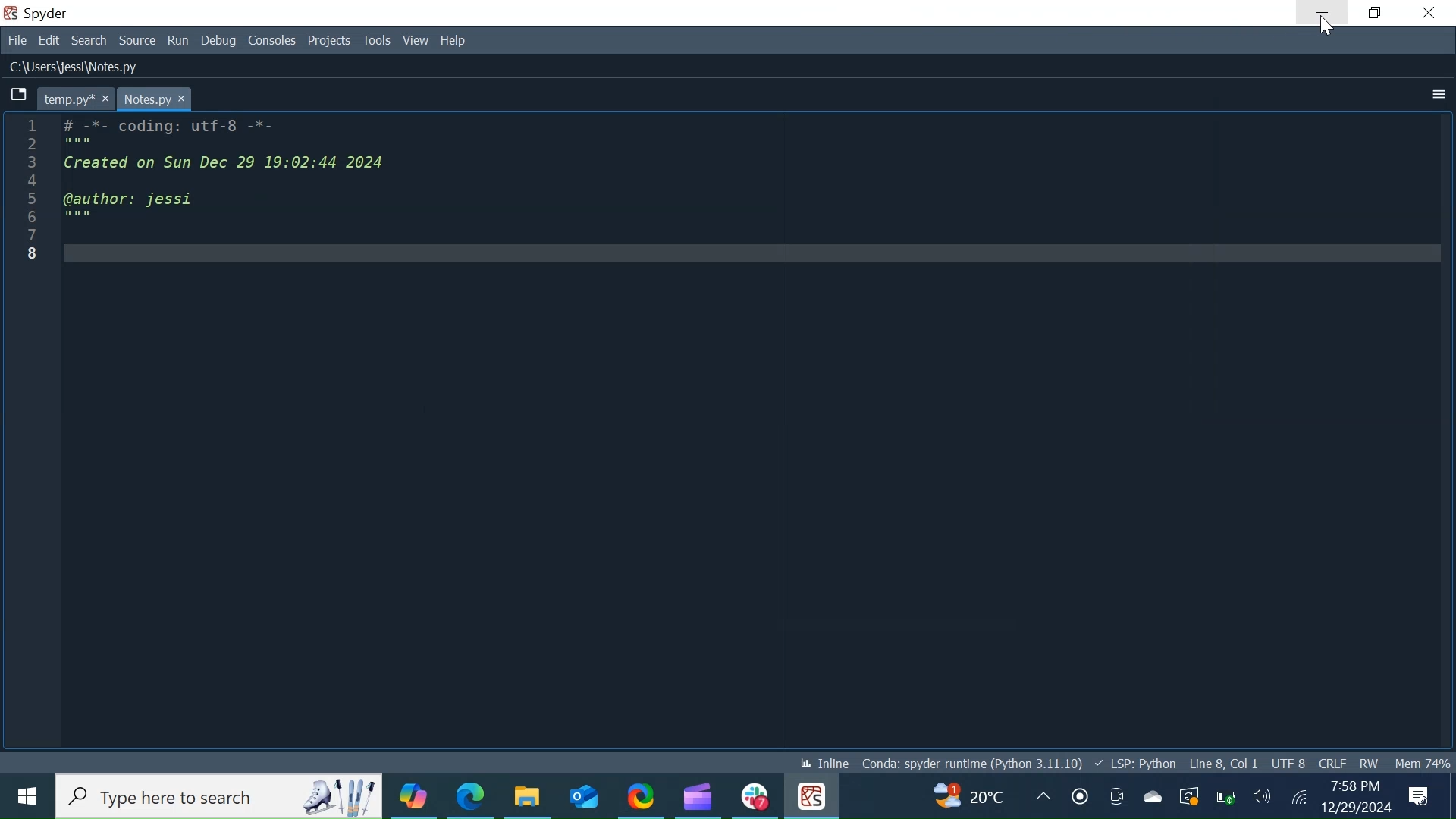 This screenshot has height=819, width=1456. What do you see at coordinates (274, 42) in the screenshot?
I see `Consoles` at bounding box center [274, 42].